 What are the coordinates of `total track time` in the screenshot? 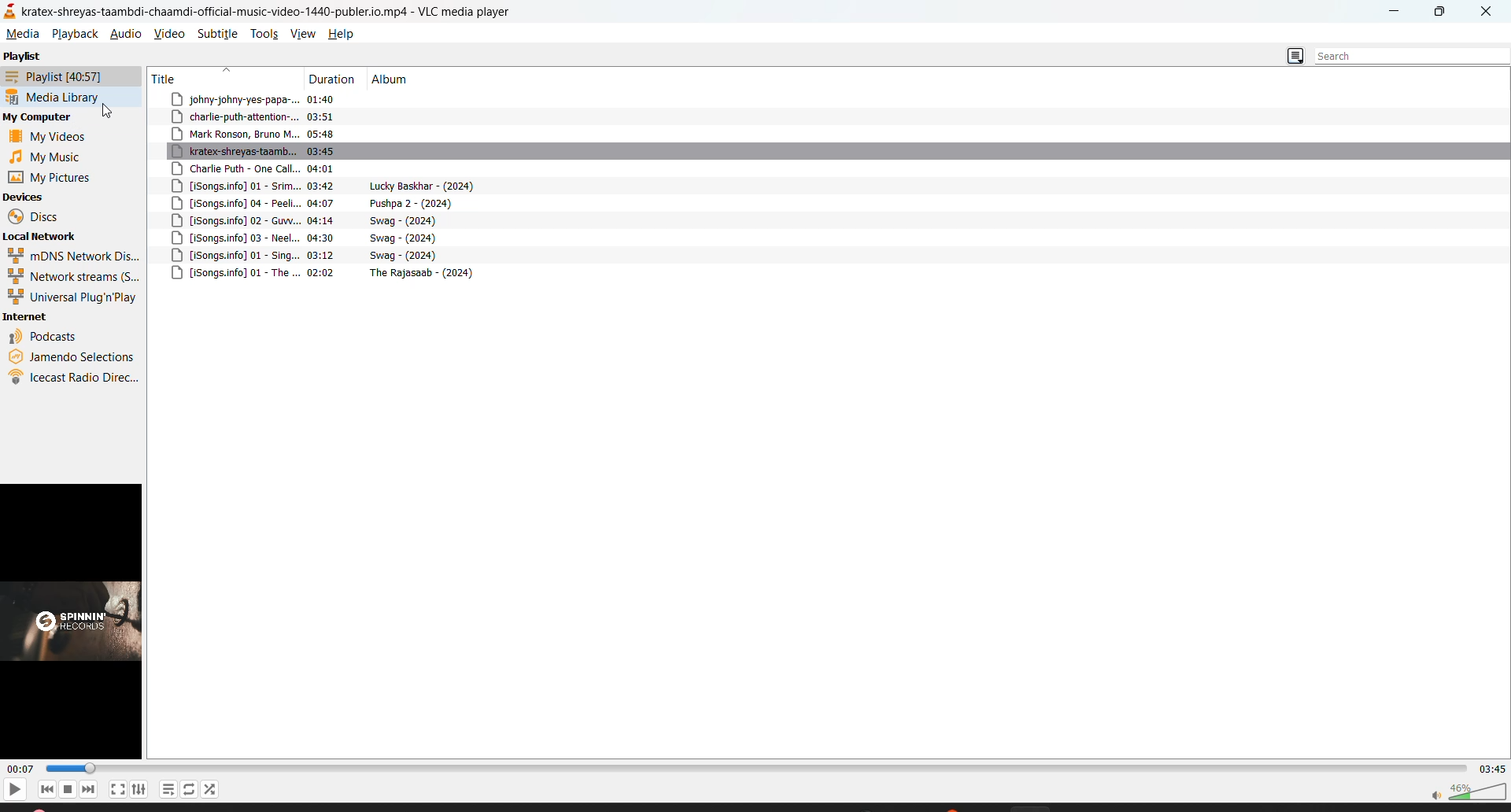 It's located at (1493, 769).